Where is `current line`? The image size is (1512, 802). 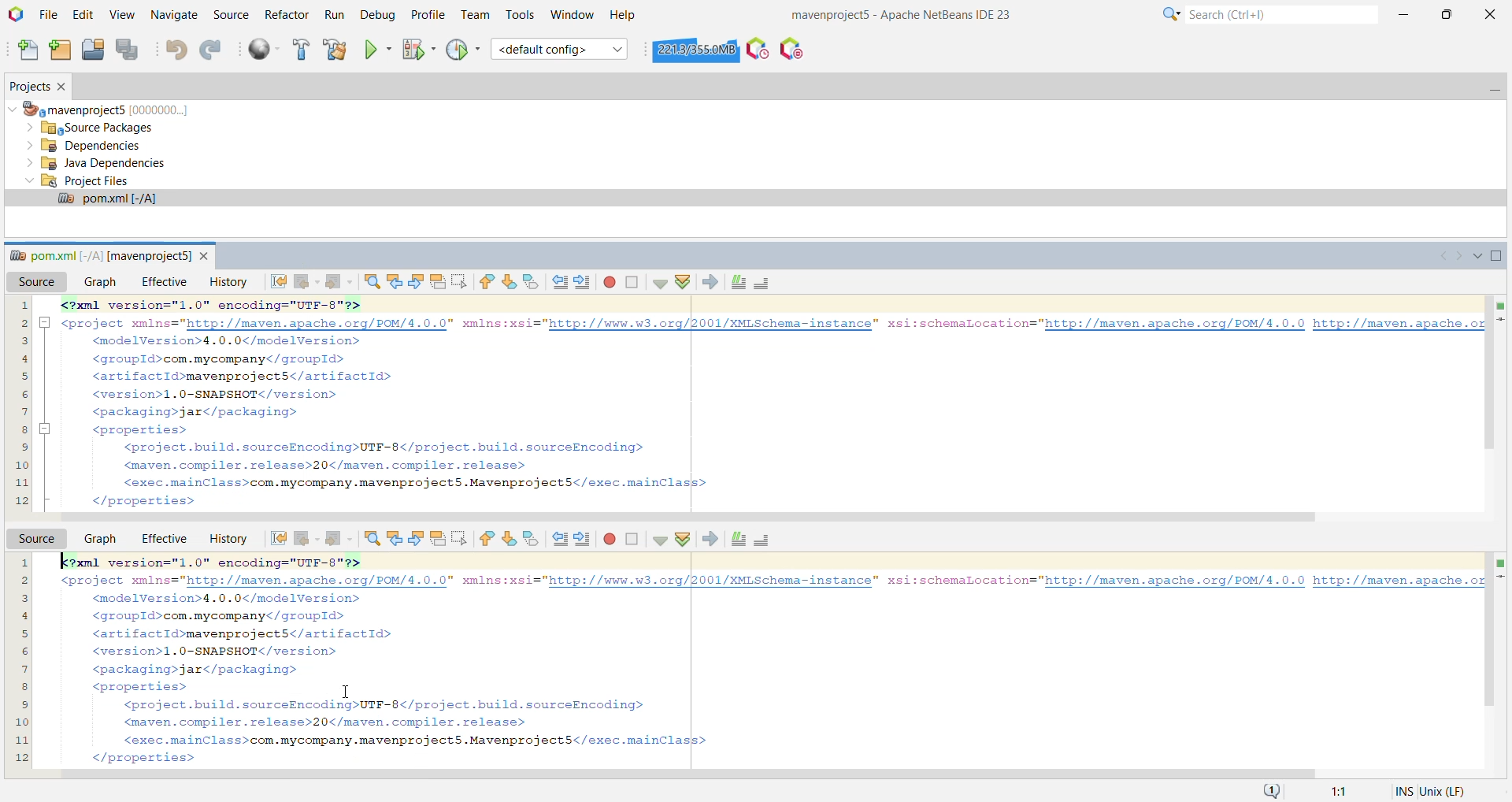
current line is located at coordinates (1501, 578).